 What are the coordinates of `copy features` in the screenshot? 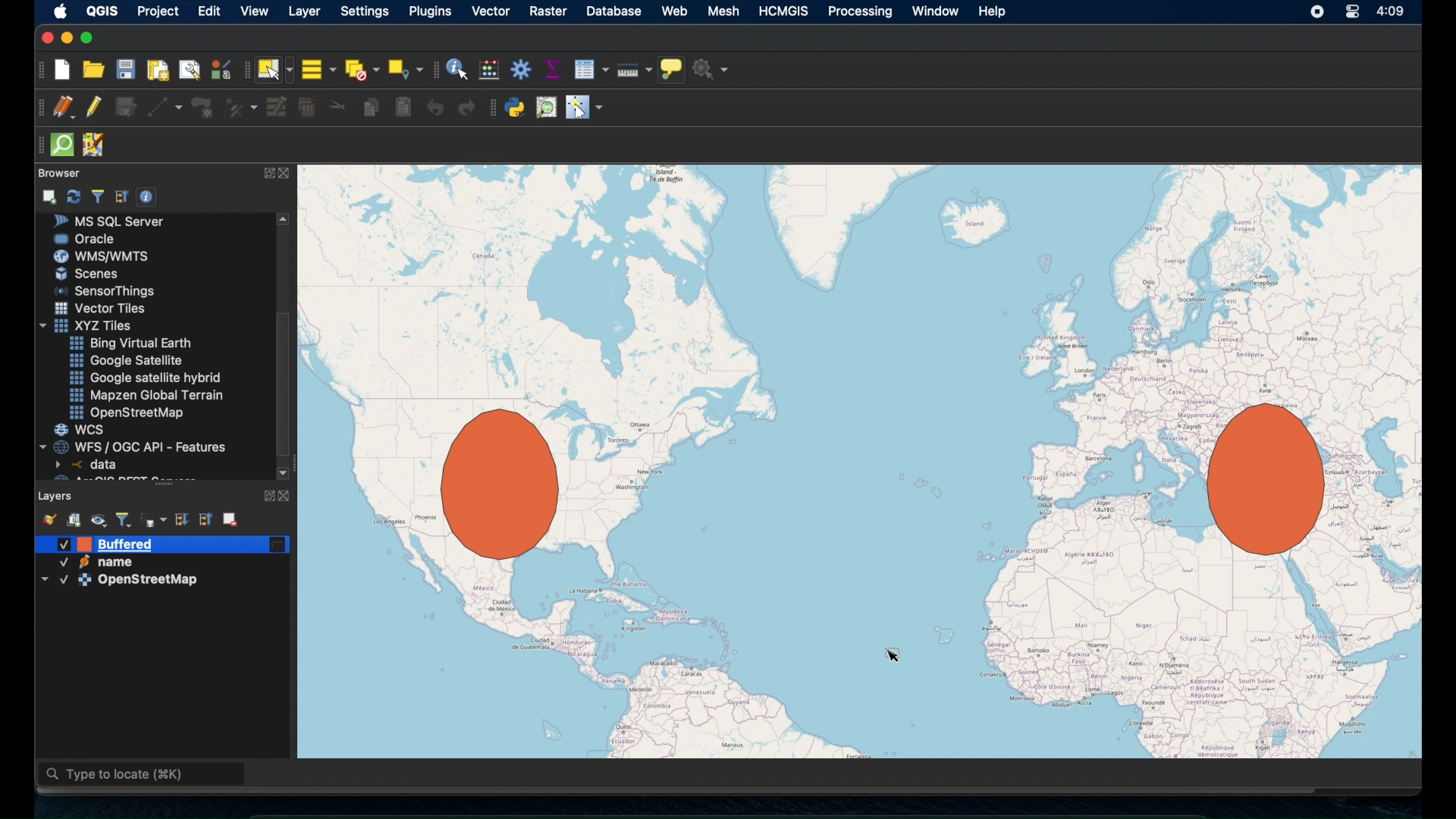 It's located at (371, 106).